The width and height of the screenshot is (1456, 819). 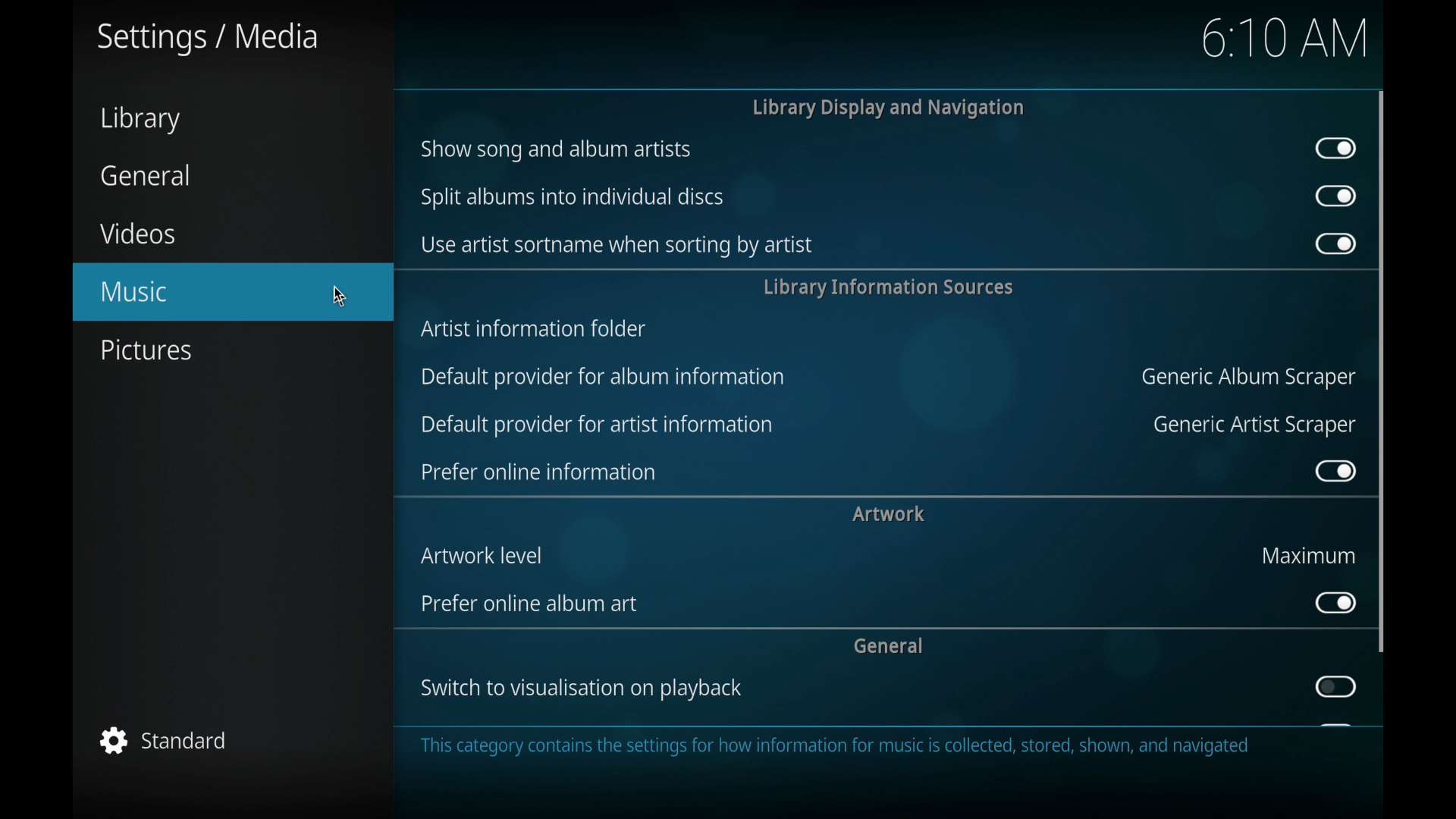 I want to click on default provider for album information, so click(x=602, y=375).